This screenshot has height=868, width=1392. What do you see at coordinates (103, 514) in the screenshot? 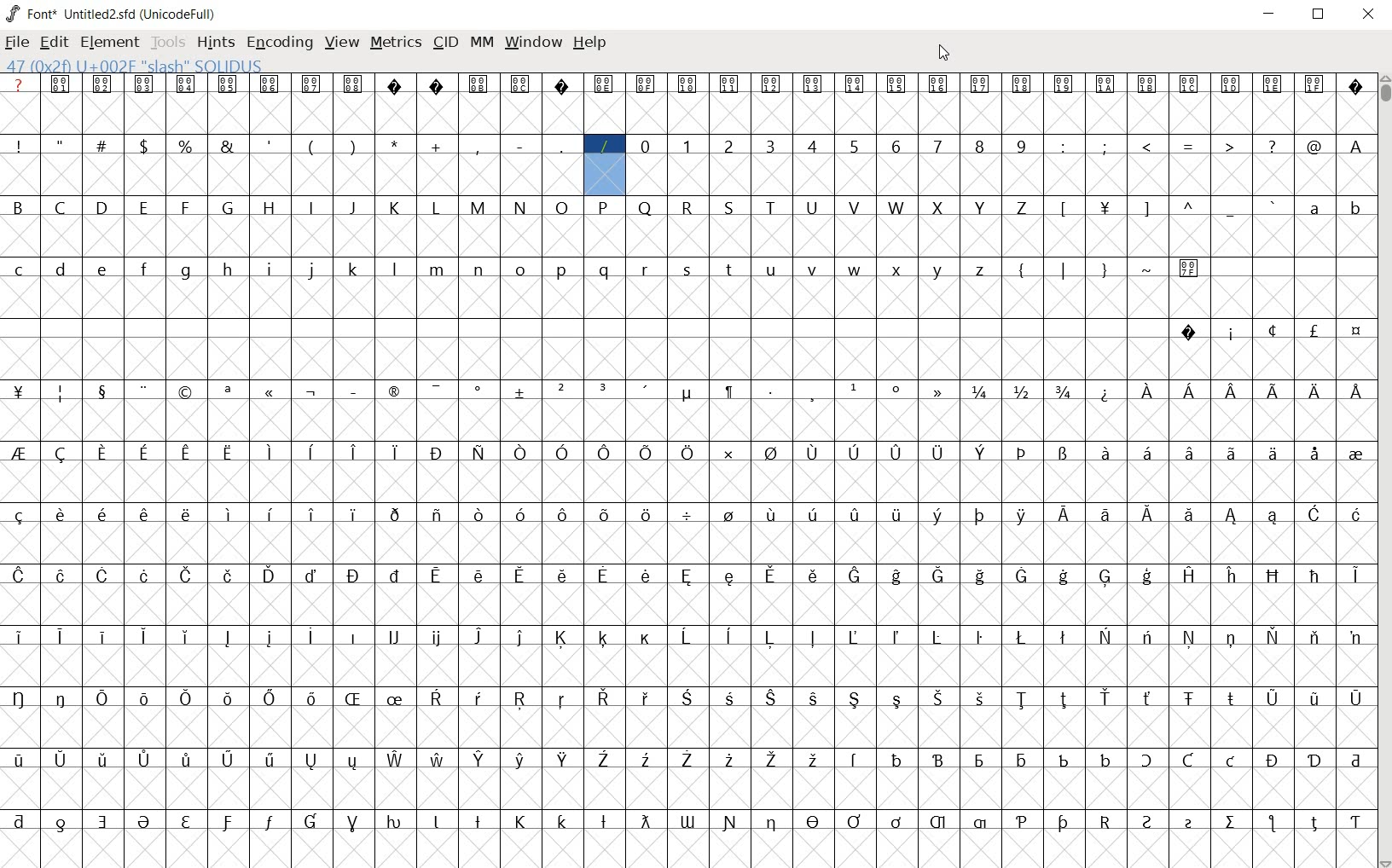
I see `glyph` at bounding box center [103, 514].